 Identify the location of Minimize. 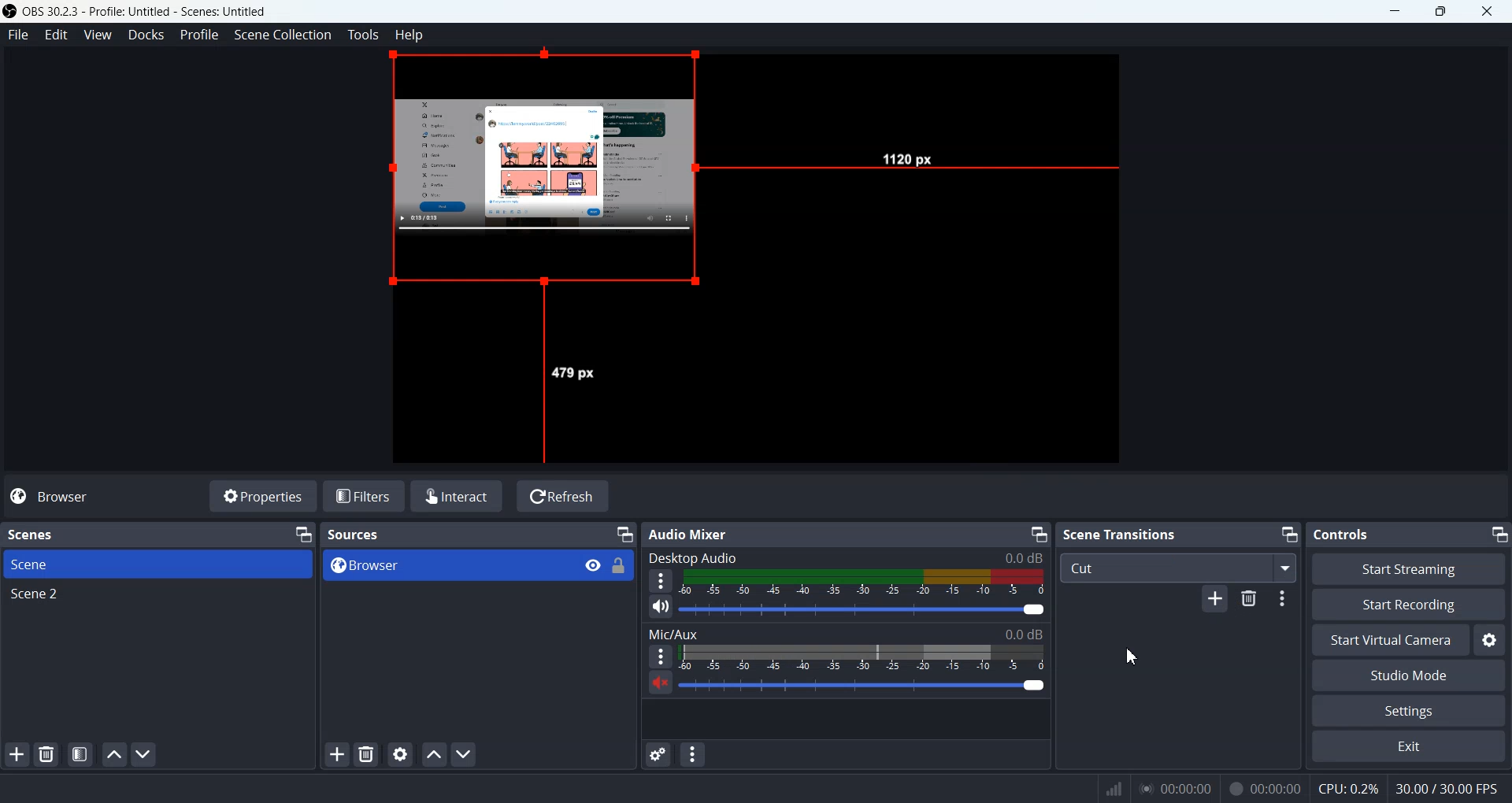
(1288, 533).